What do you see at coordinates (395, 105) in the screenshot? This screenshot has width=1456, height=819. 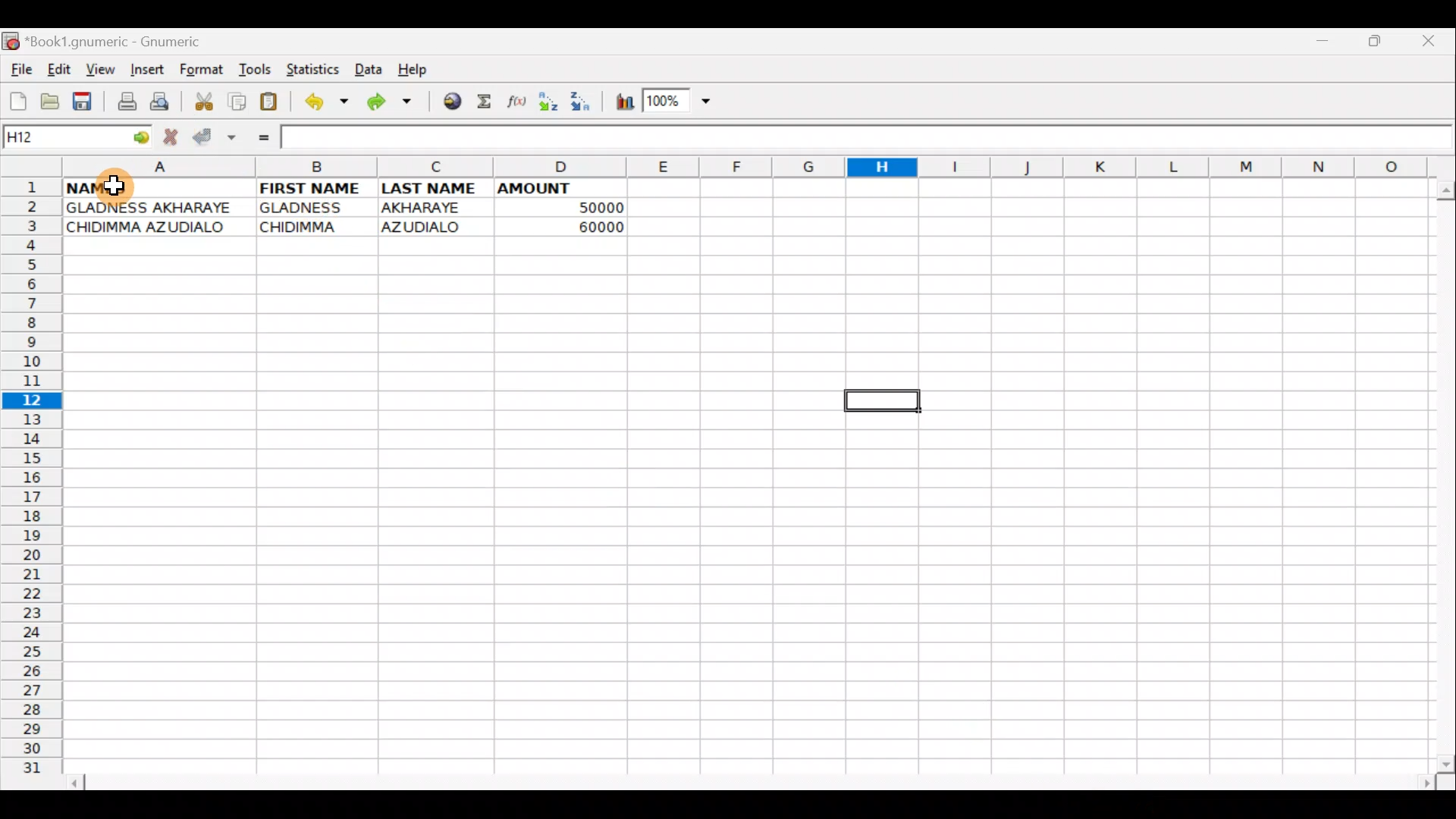 I see `Redo undone action` at bounding box center [395, 105].